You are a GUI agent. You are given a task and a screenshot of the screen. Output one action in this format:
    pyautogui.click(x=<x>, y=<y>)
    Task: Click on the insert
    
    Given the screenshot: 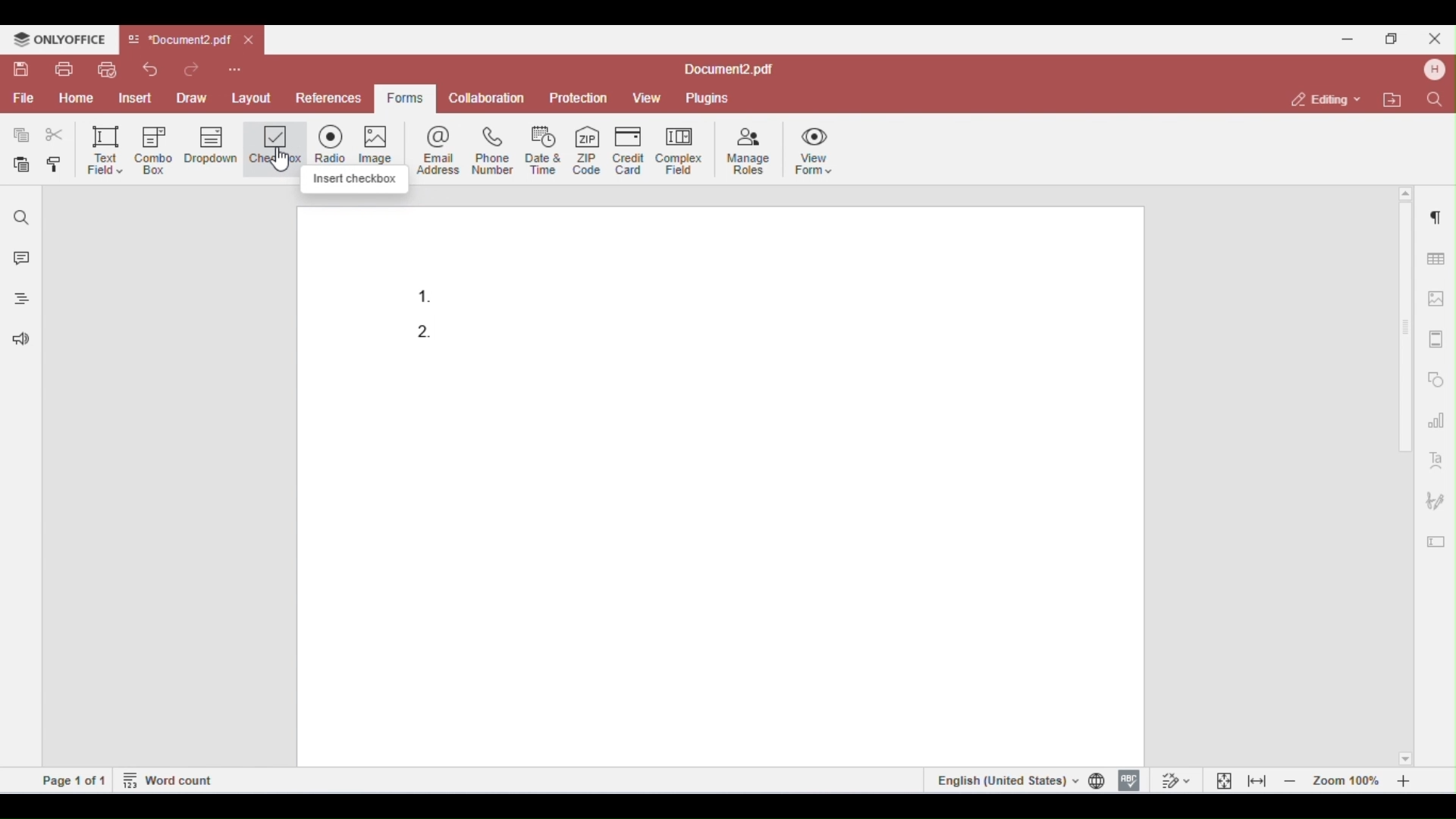 What is the action you would take?
    pyautogui.click(x=138, y=98)
    